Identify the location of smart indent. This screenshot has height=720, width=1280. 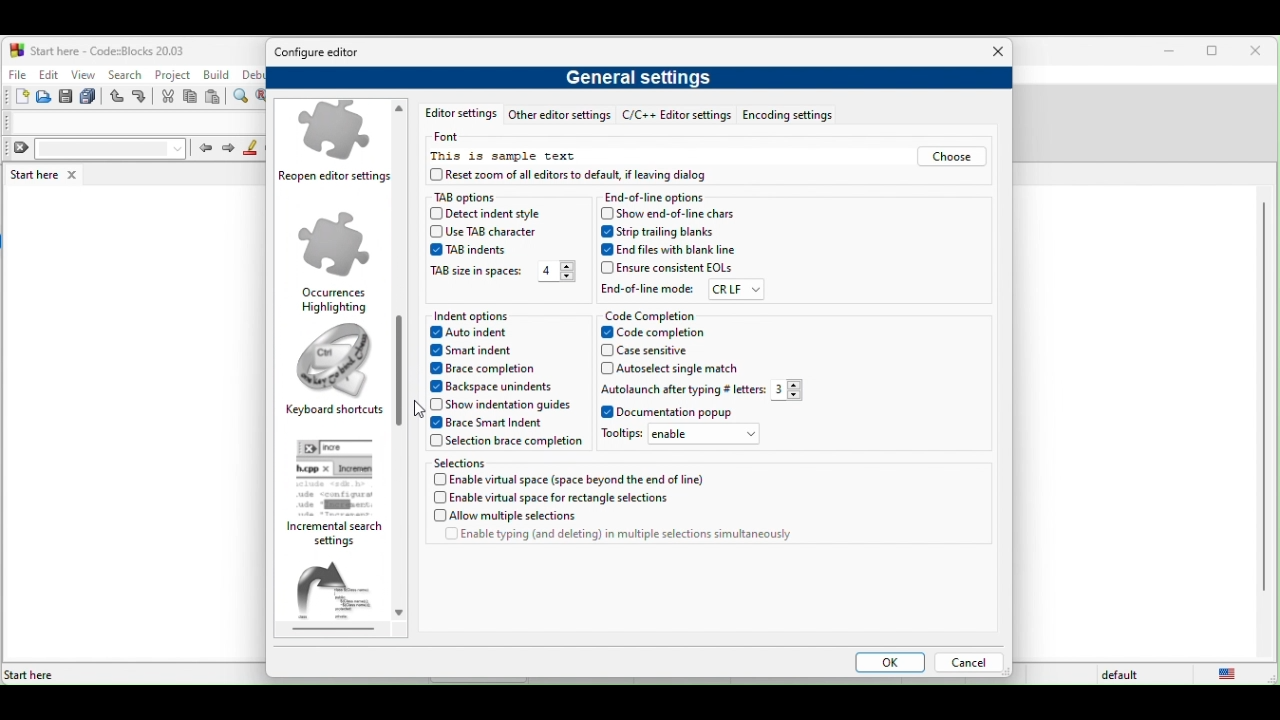
(480, 352).